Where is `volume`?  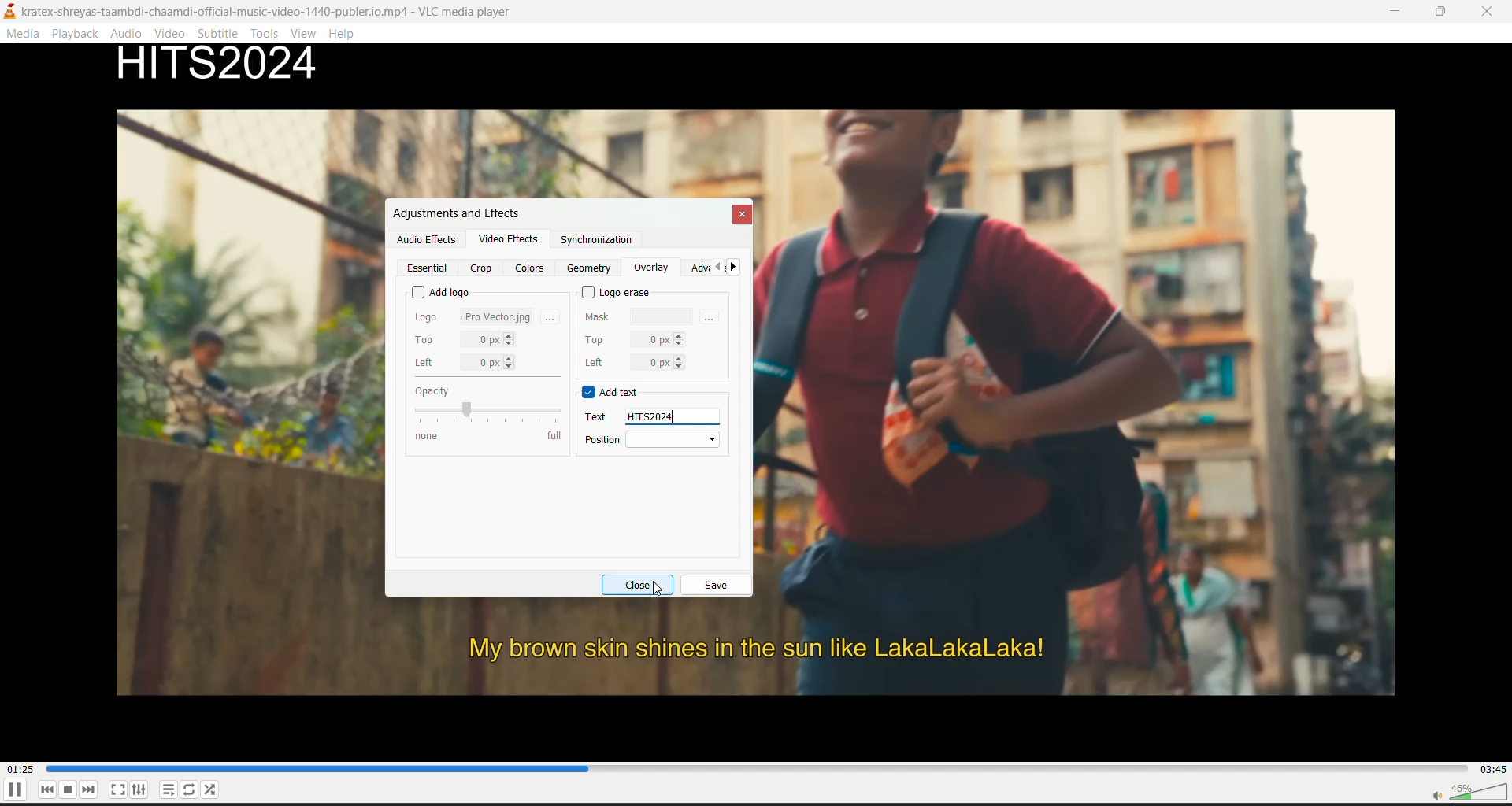 volume is located at coordinates (1464, 792).